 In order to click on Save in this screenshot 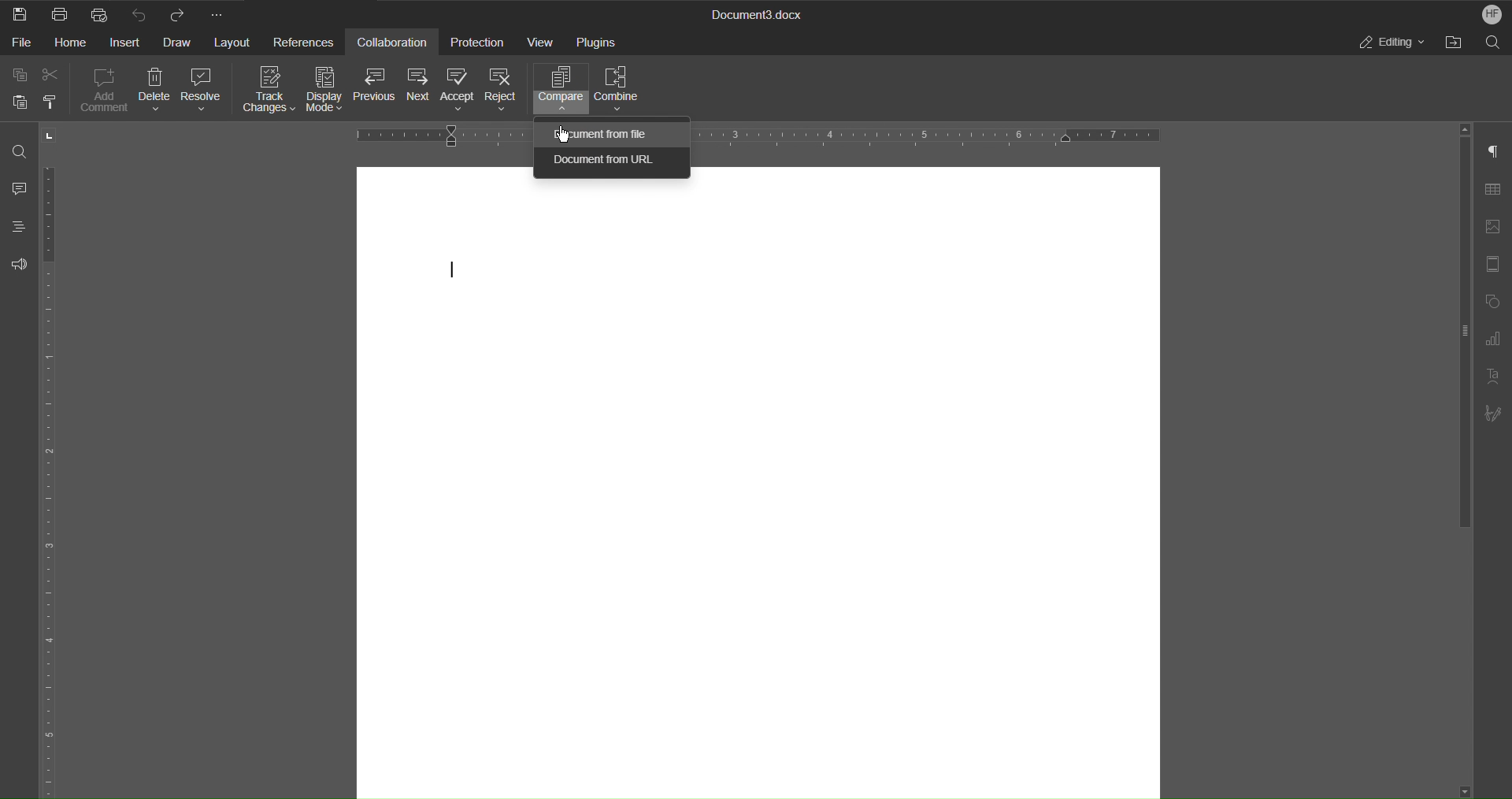, I will do `click(19, 15)`.